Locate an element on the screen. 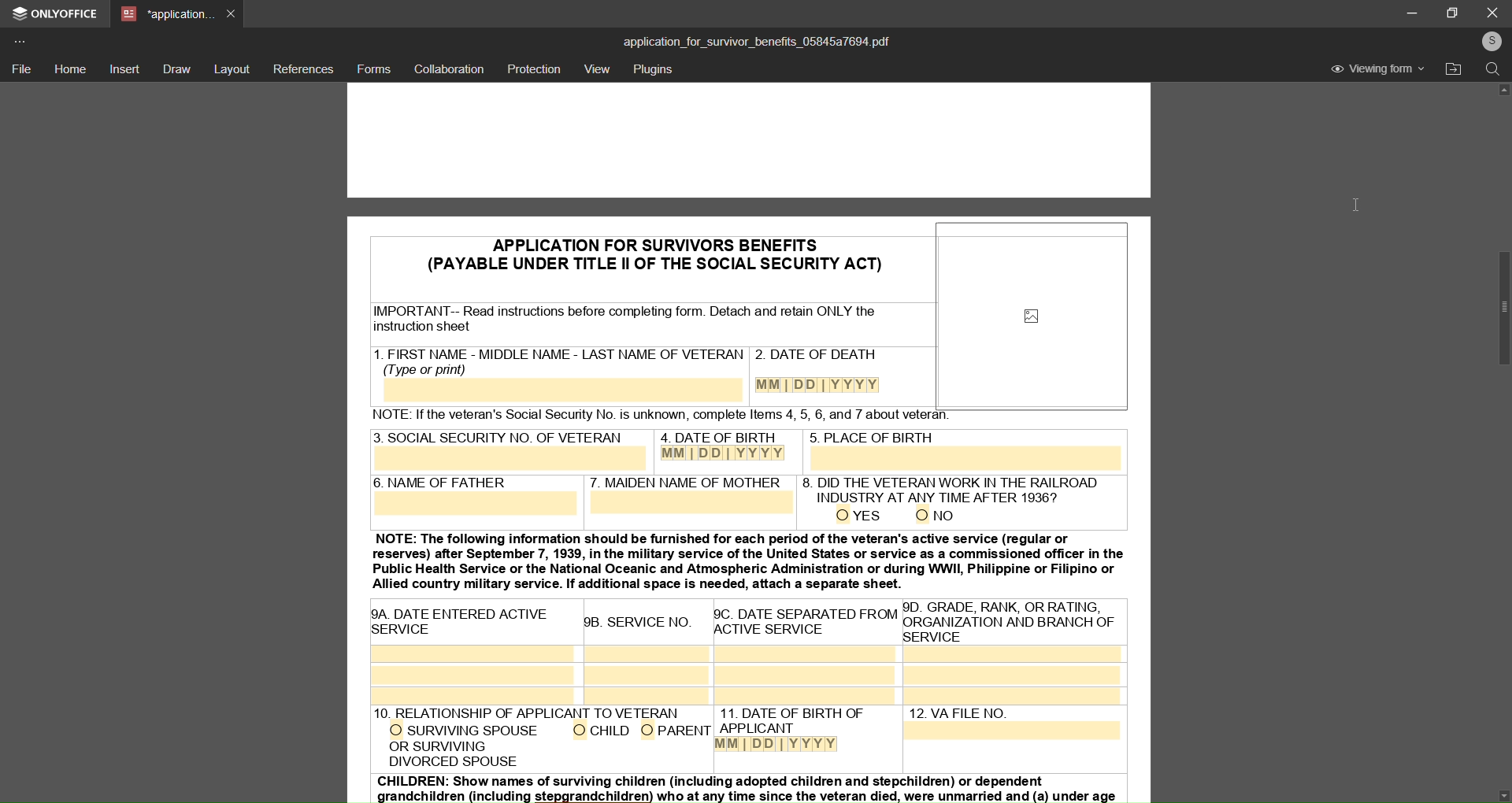 Image resolution: width=1512 pixels, height=803 pixels. close tab is located at coordinates (232, 13).